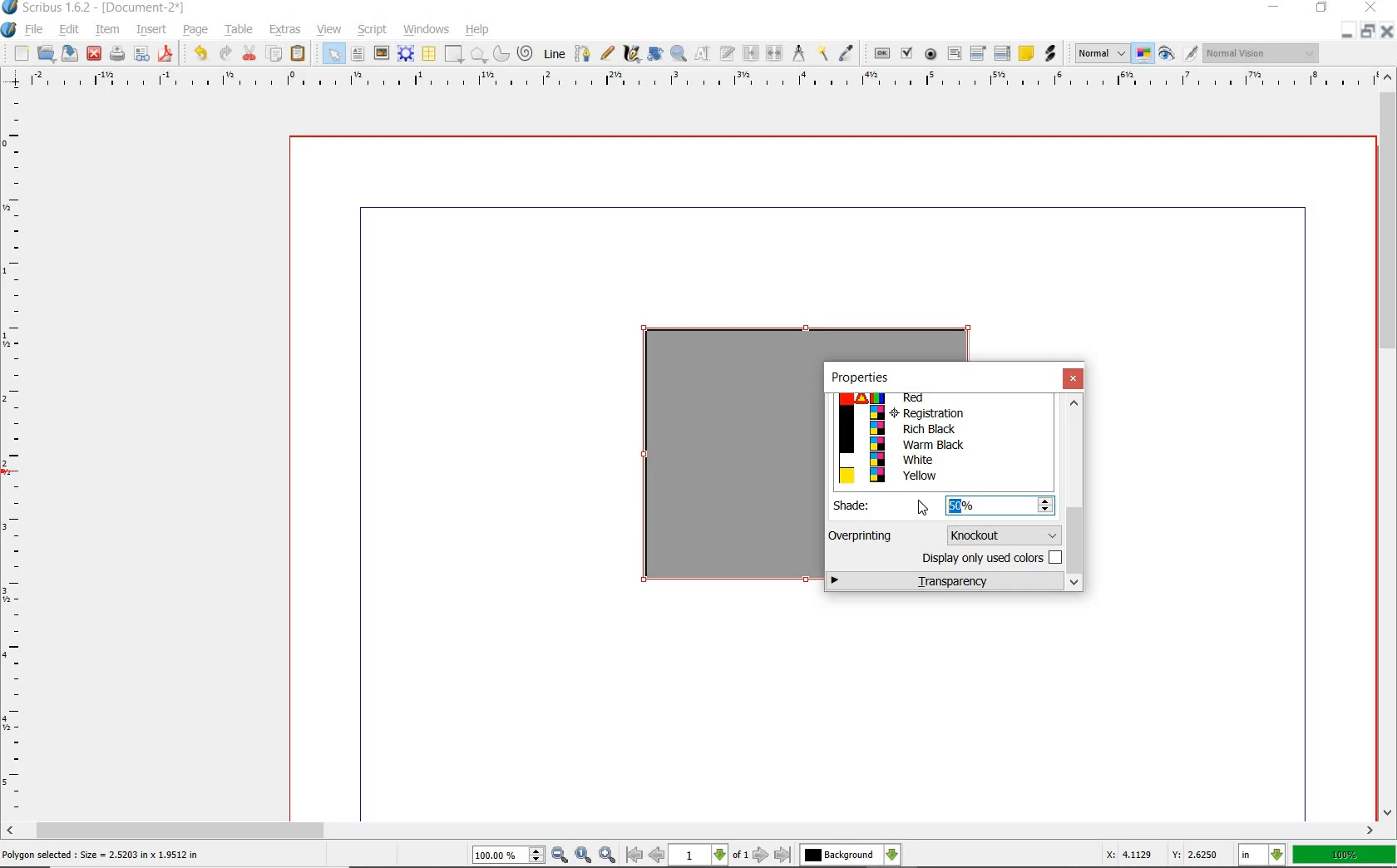  Describe the element at coordinates (119, 56) in the screenshot. I see `print` at that location.